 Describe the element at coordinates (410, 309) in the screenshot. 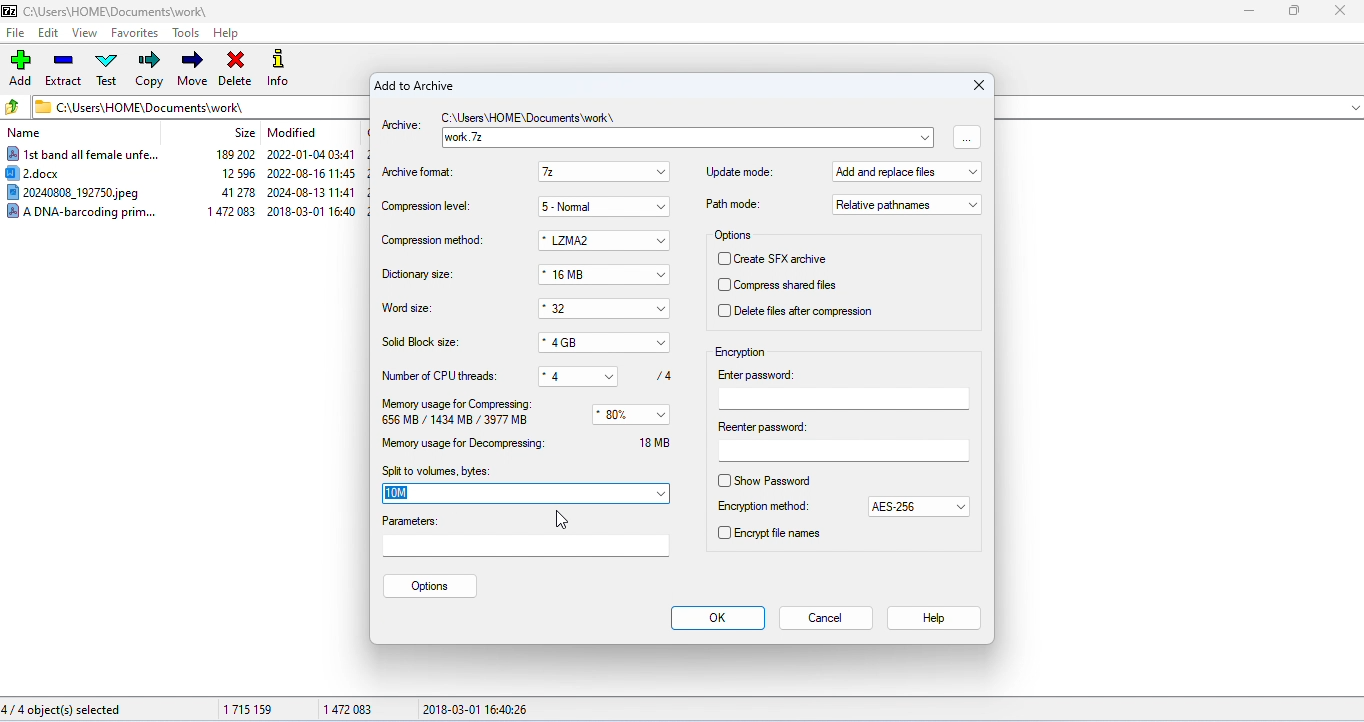

I see `word size` at that location.